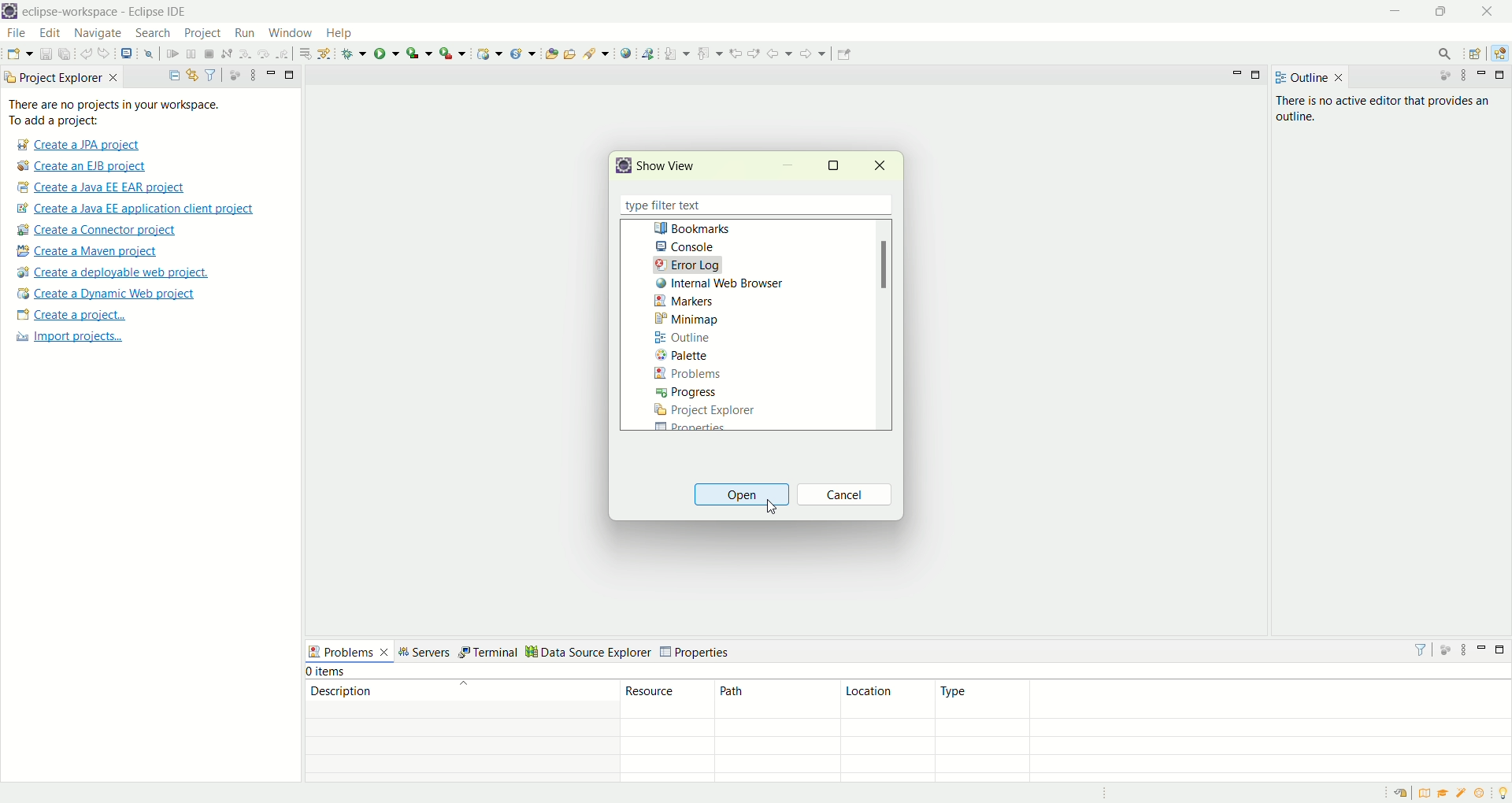 The height and width of the screenshot is (803, 1512). I want to click on type filter text, so click(665, 205).